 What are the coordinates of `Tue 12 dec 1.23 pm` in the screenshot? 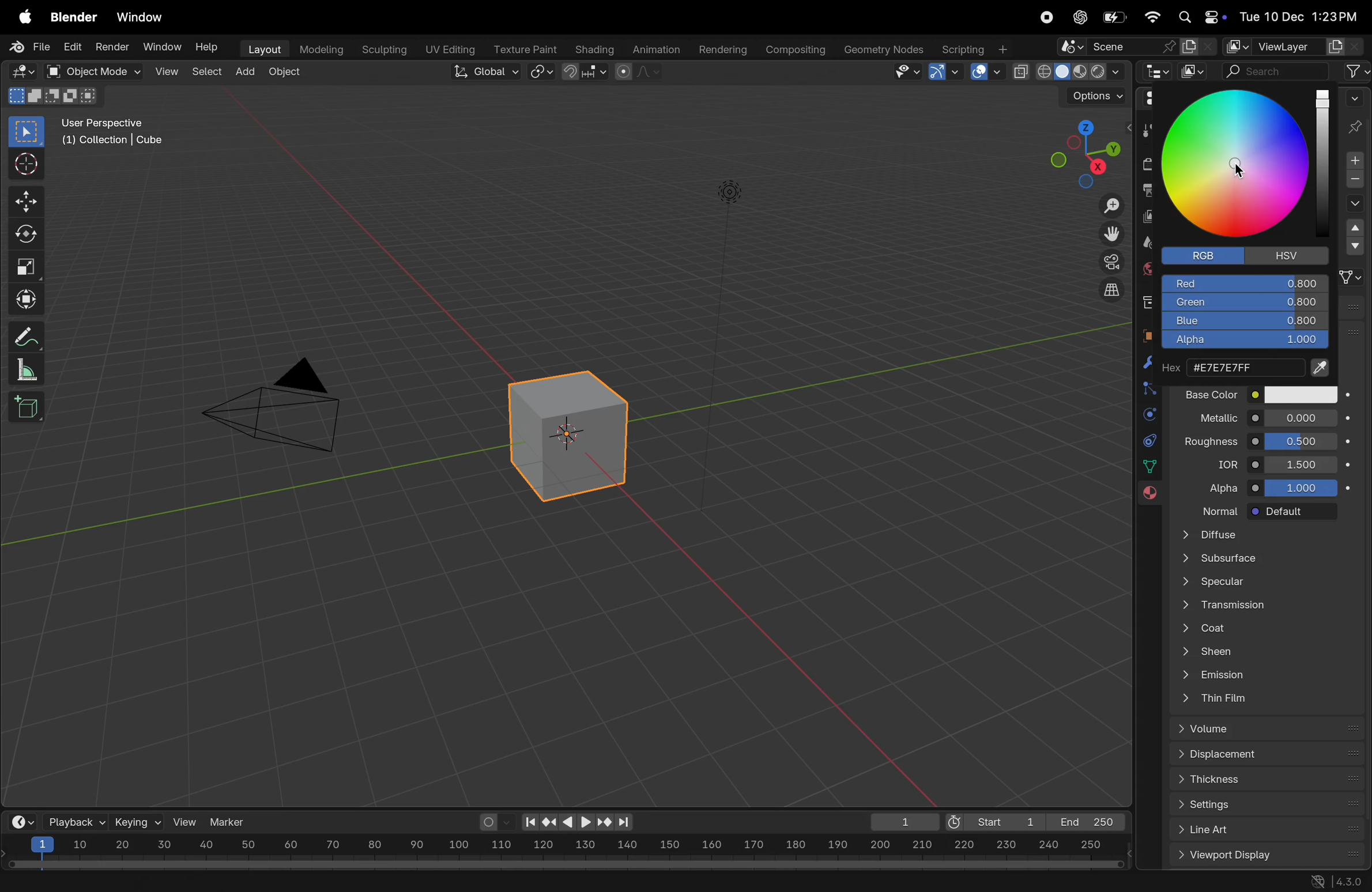 It's located at (1297, 17).